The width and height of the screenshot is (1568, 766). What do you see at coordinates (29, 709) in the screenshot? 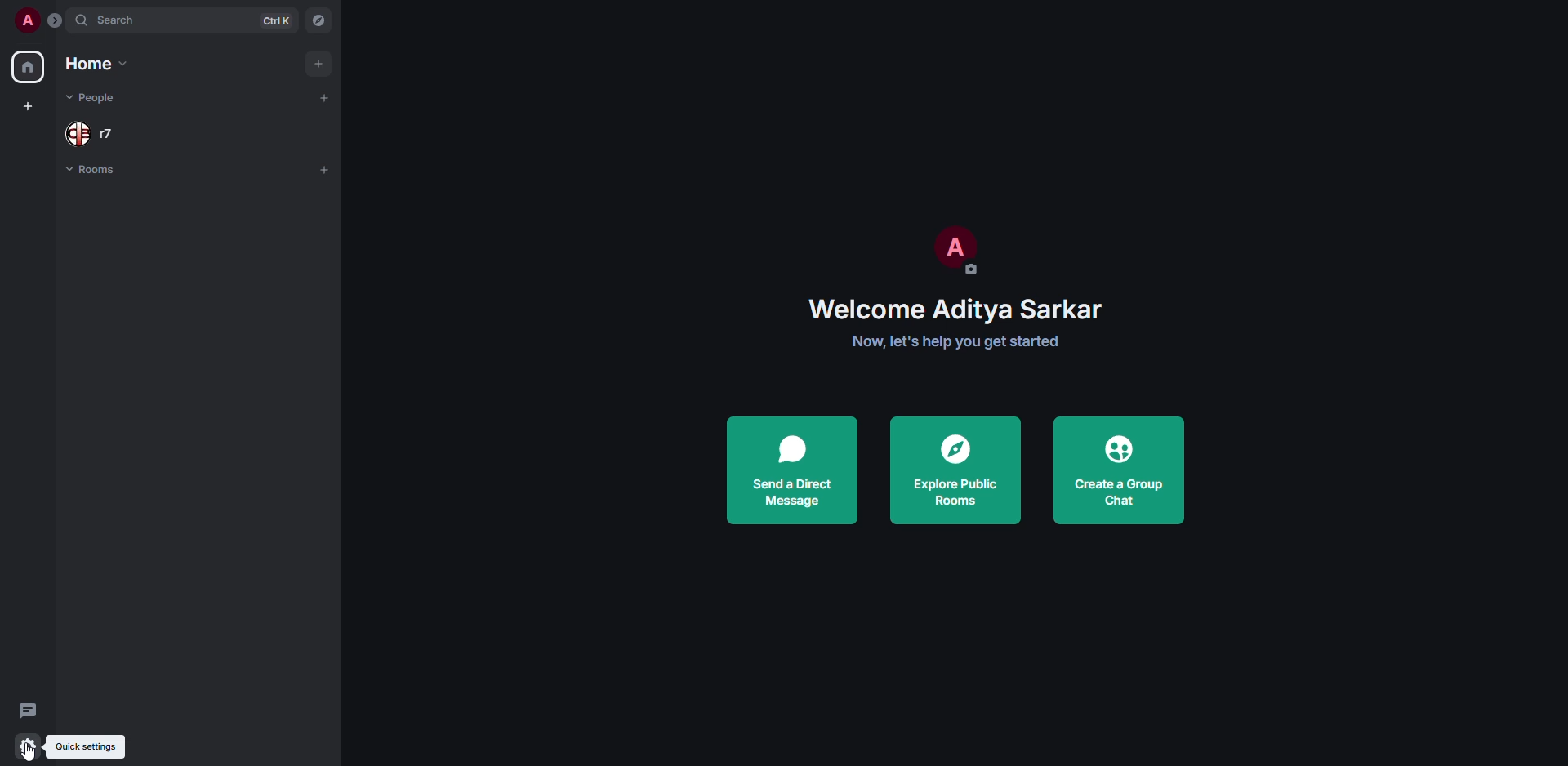
I see `threads` at bounding box center [29, 709].